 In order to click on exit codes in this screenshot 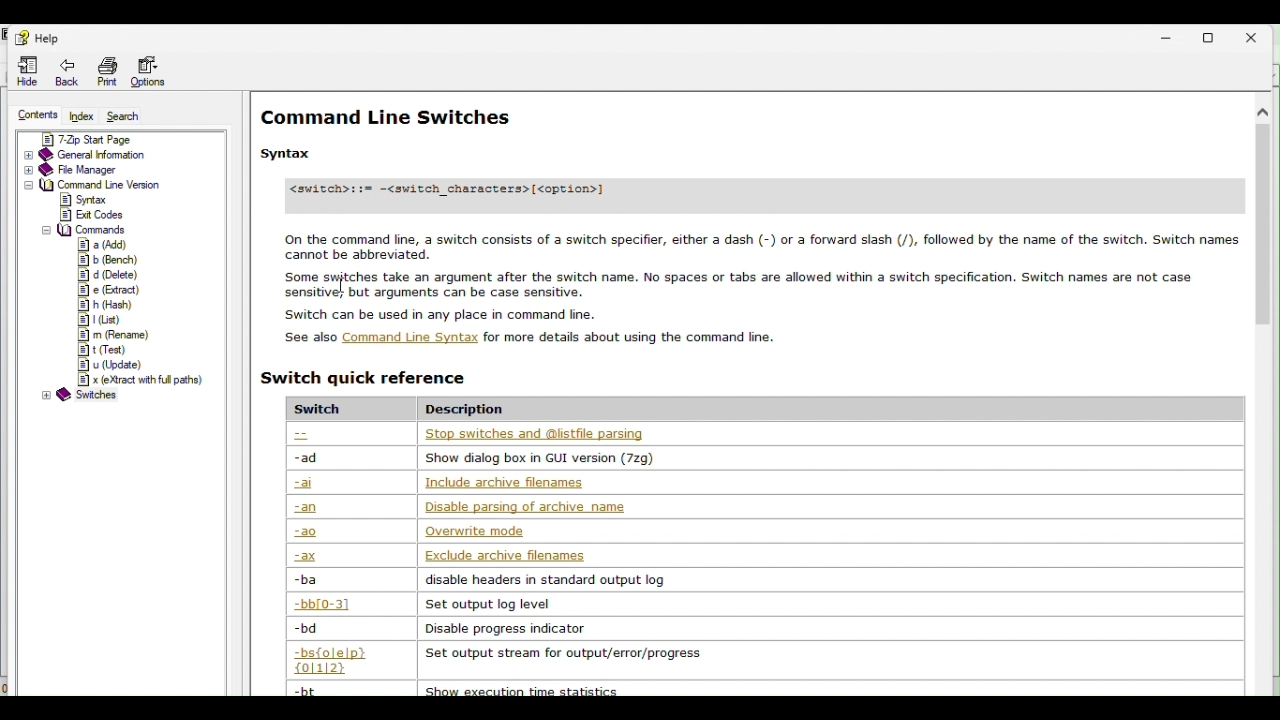, I will do `click(86, 215)`.